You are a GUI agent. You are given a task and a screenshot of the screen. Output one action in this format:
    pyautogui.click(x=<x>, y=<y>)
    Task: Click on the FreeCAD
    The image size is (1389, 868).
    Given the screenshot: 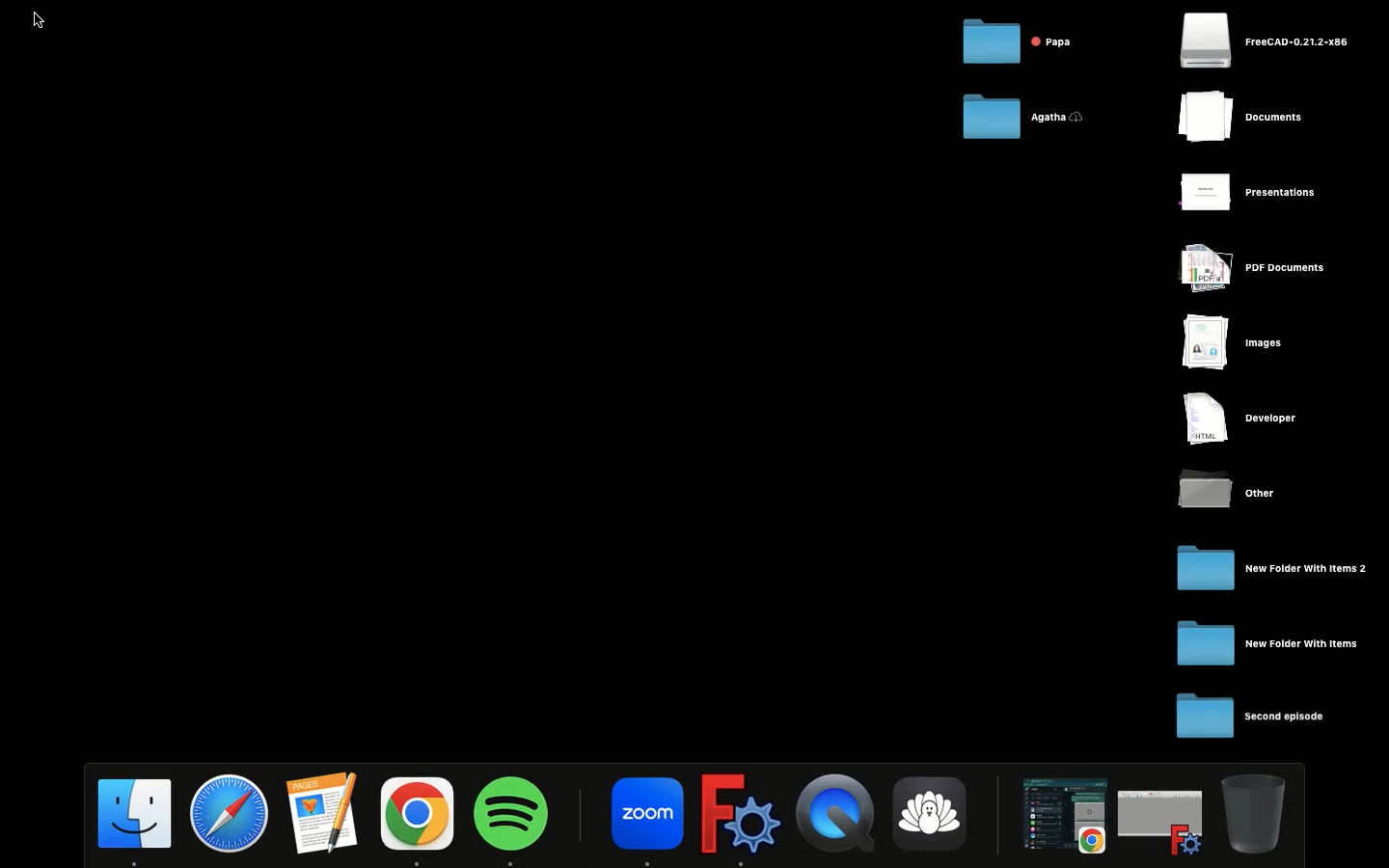 What is the action you would take?
    pyautogui.click(x=743, y=815)
    